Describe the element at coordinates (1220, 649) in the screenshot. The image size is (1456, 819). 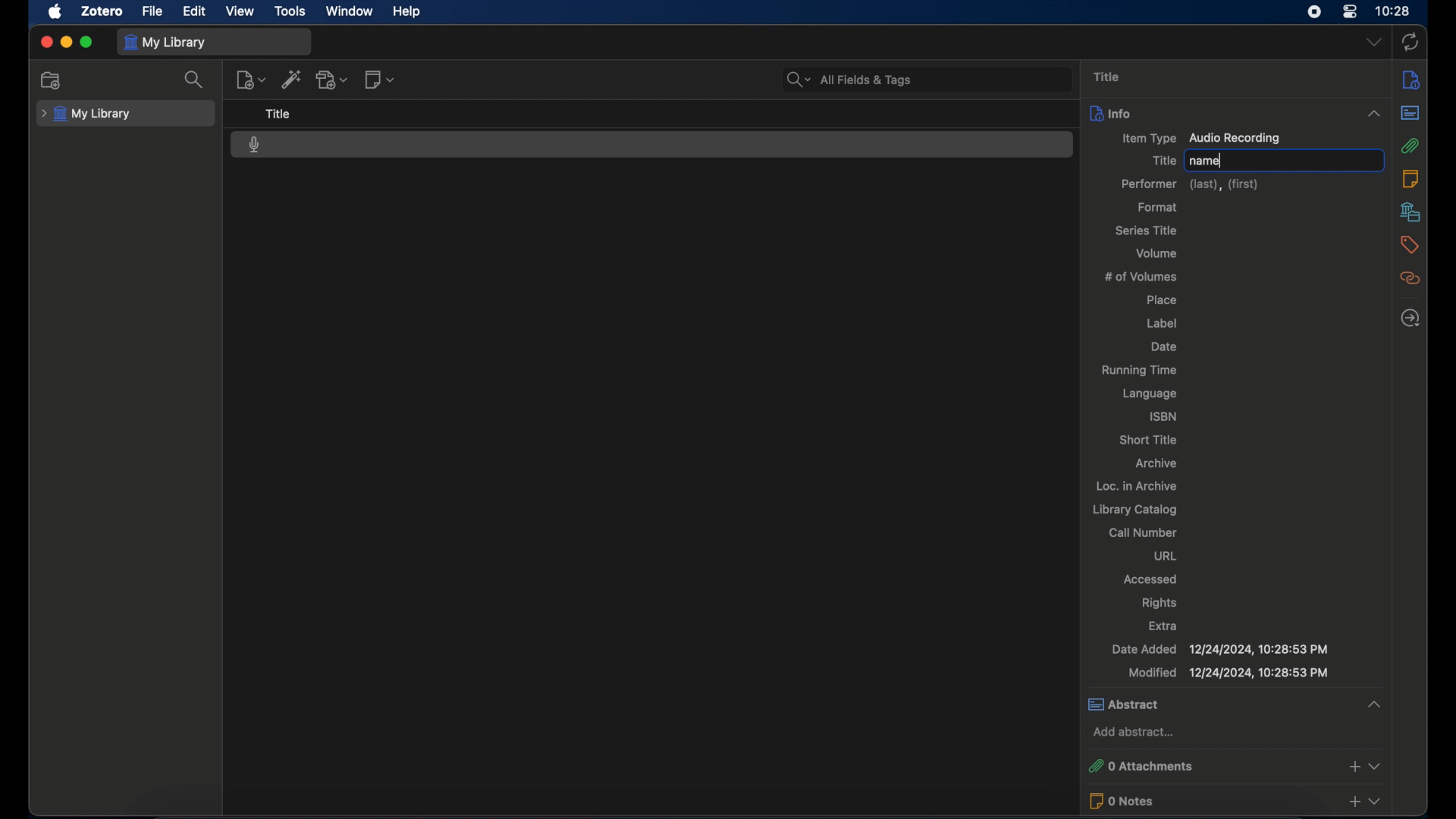
I see `date added` at that location.